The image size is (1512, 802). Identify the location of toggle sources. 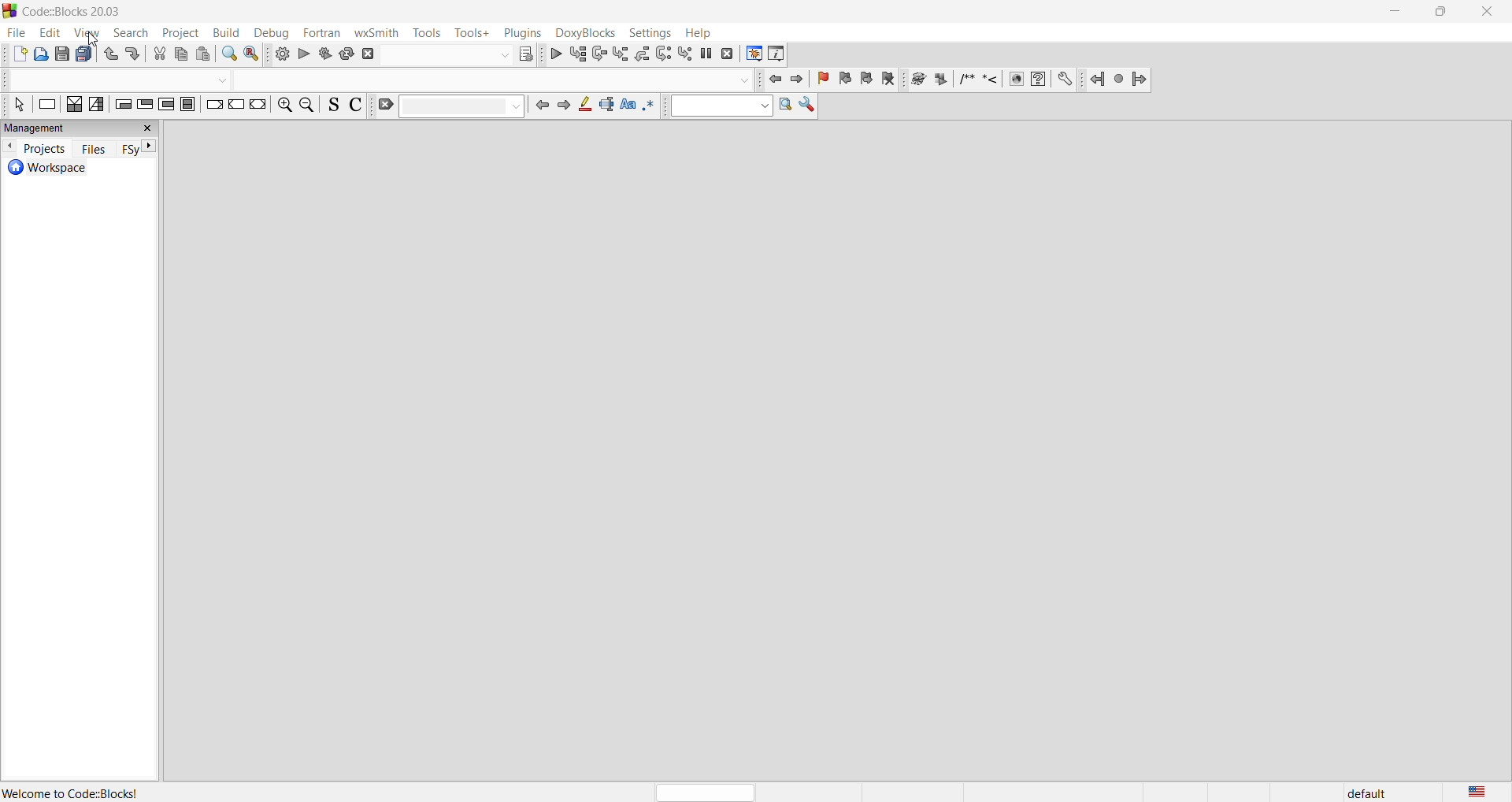
(332, 106).